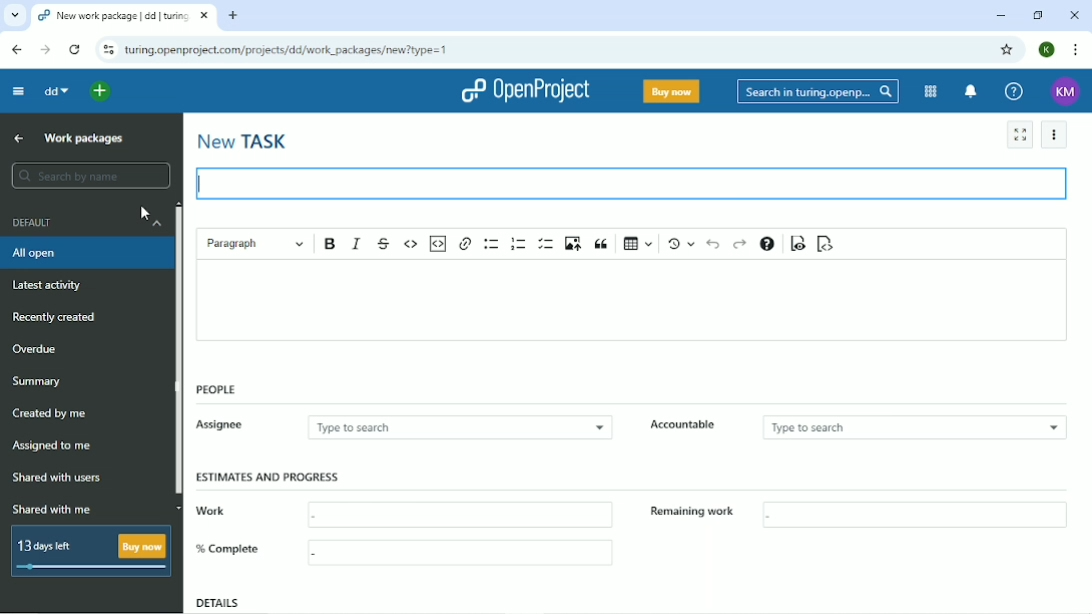 The width and height of the screenshot is (1092, 614). I want to click on Reload this page, so click(76, 50).